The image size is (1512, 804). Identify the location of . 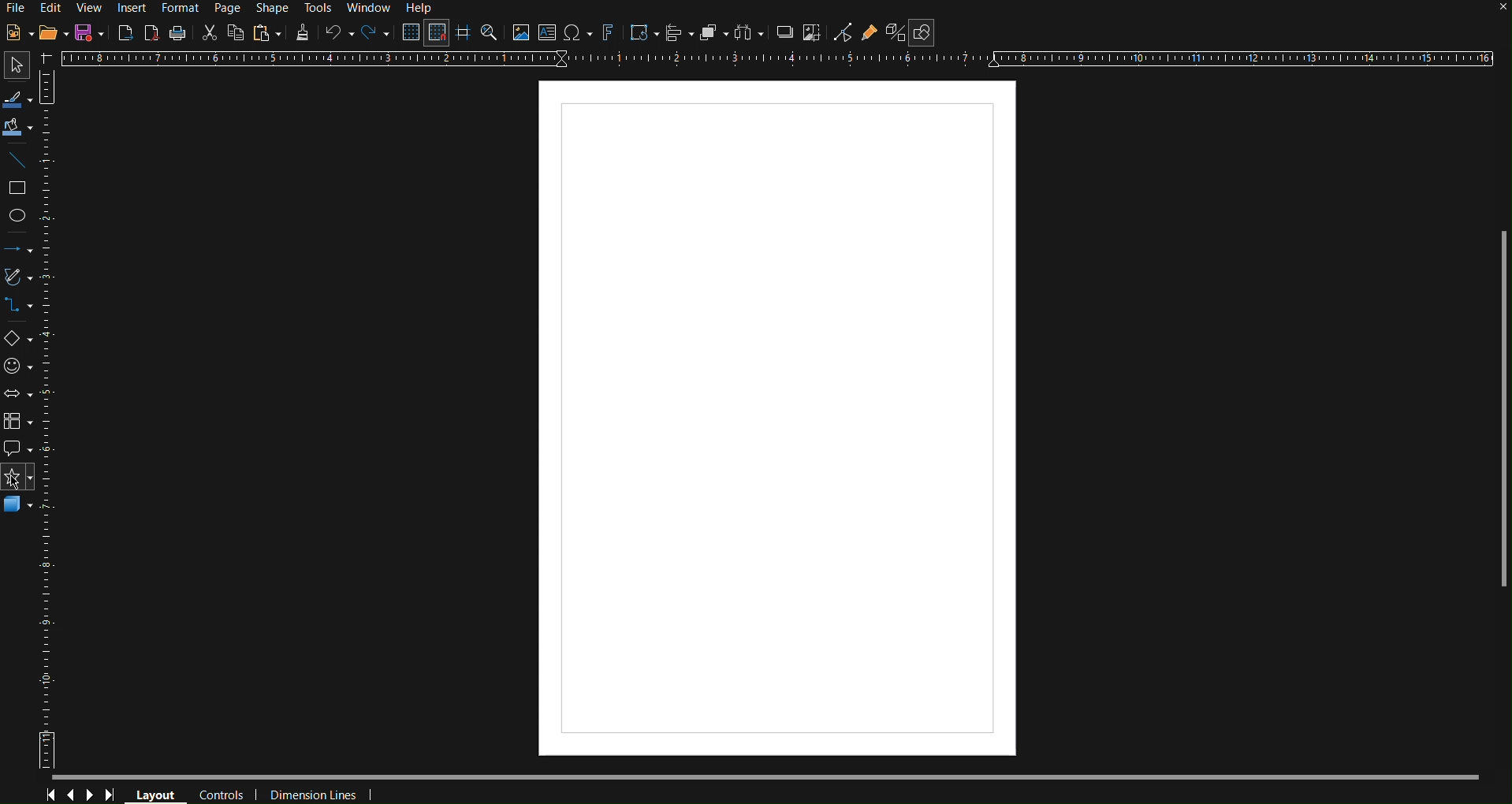
(17, 66).